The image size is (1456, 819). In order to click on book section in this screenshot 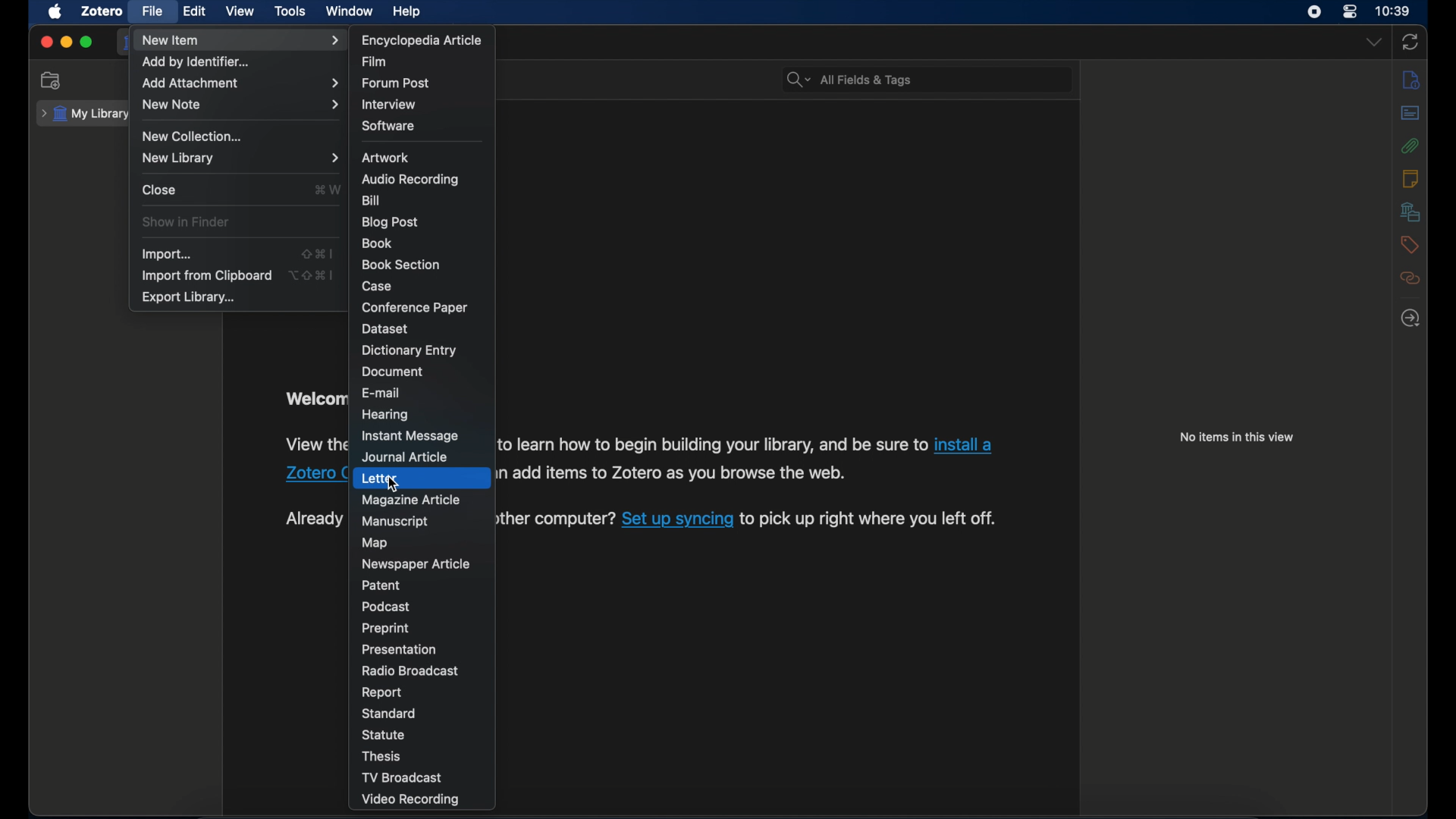, I will do `click(400, 265)`.